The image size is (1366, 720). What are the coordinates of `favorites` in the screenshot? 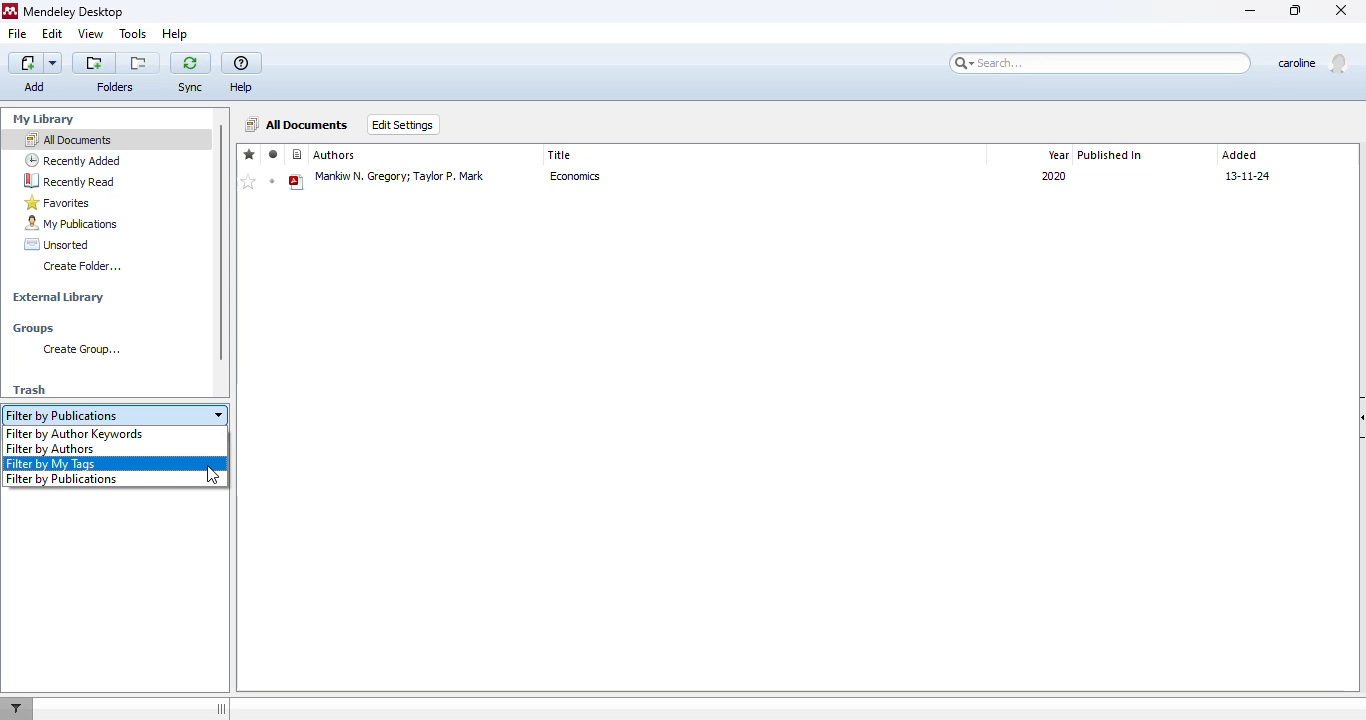 It's located at (58, 203).